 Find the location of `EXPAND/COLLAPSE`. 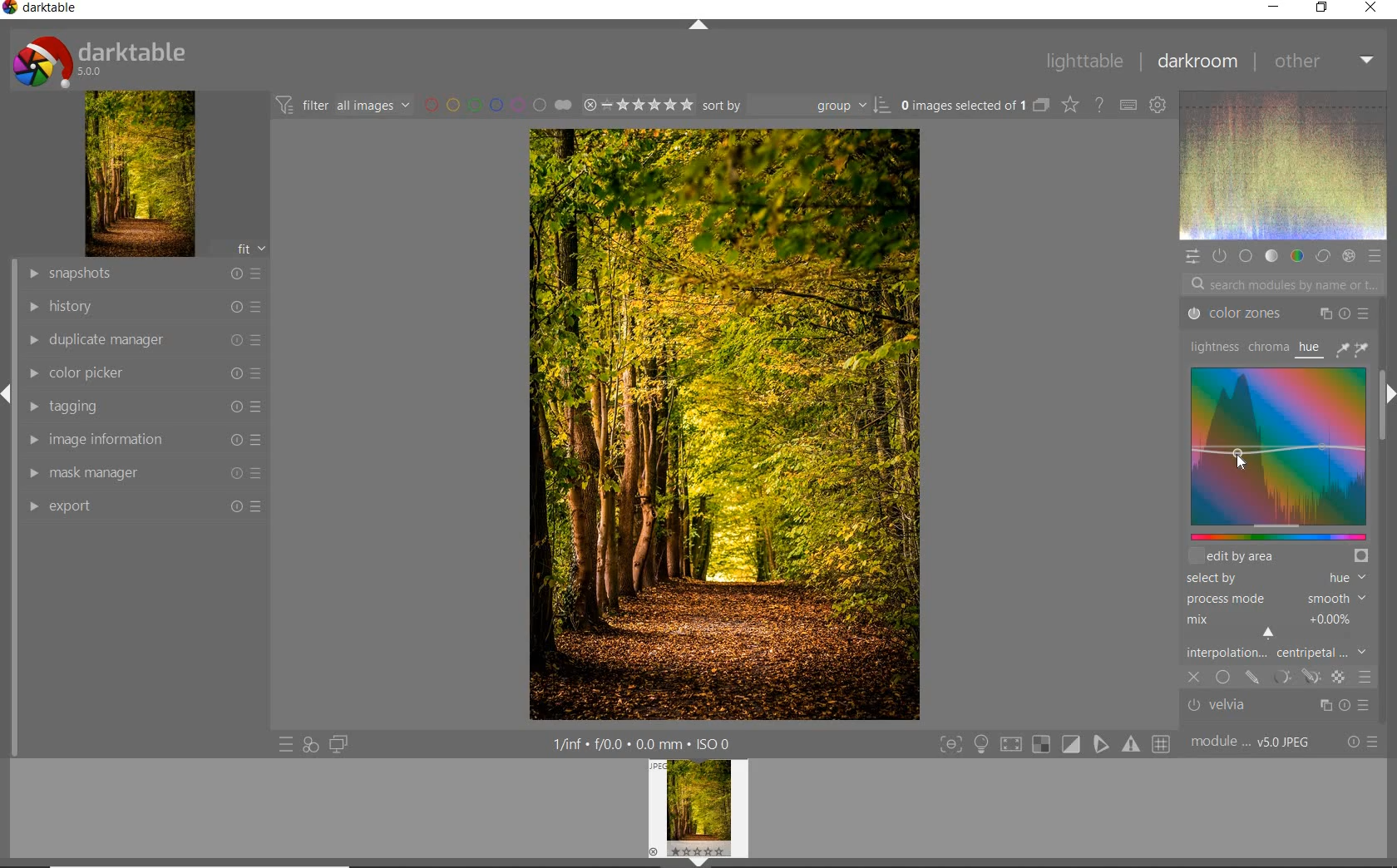

EXPAND/COLLAPSE is located at coordinates (1389, 396).